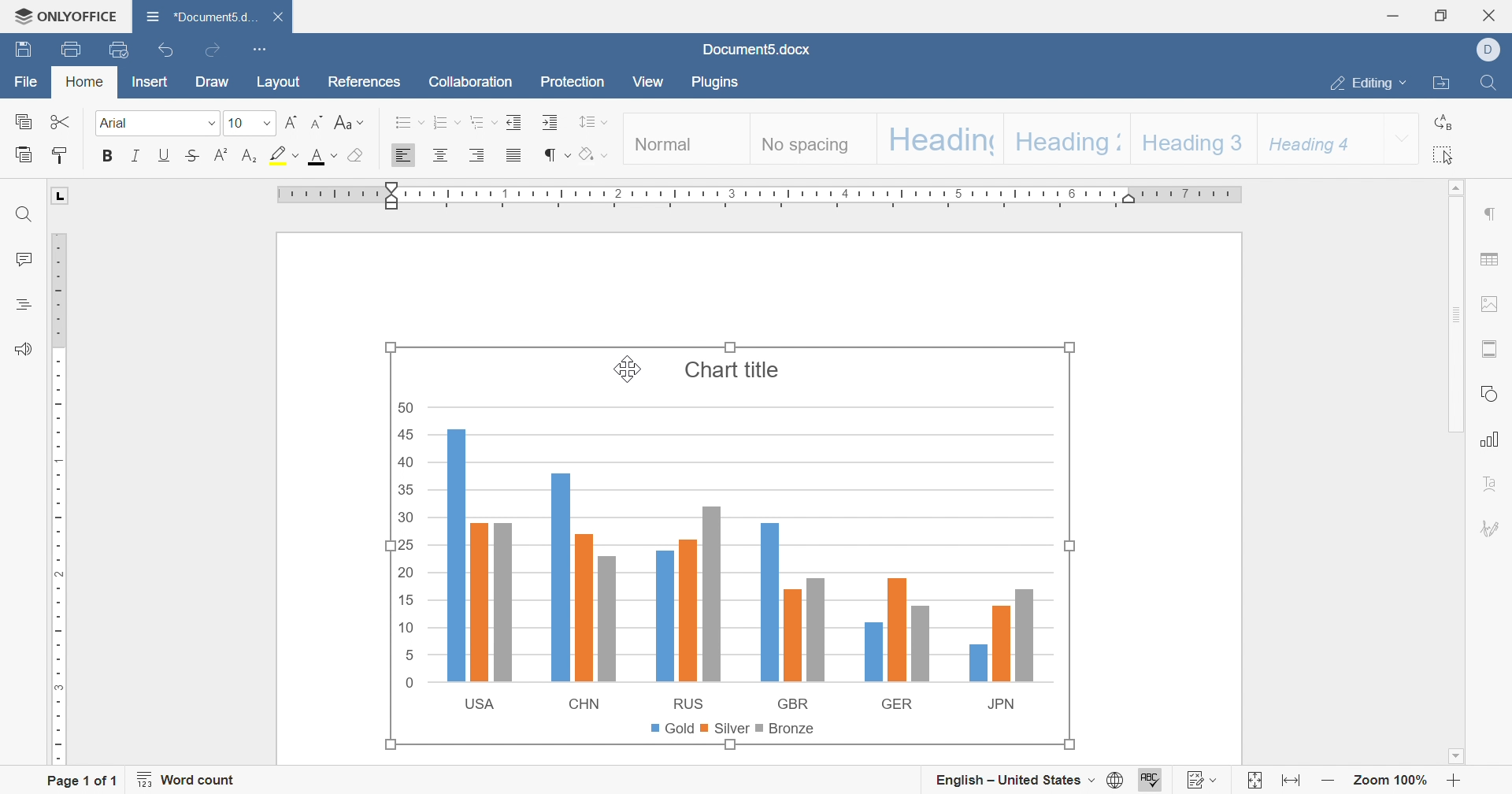 The image size is (1512, 794). Describe the element at coordinates (150, 80) in the screenshot. I see `insert` at that location.